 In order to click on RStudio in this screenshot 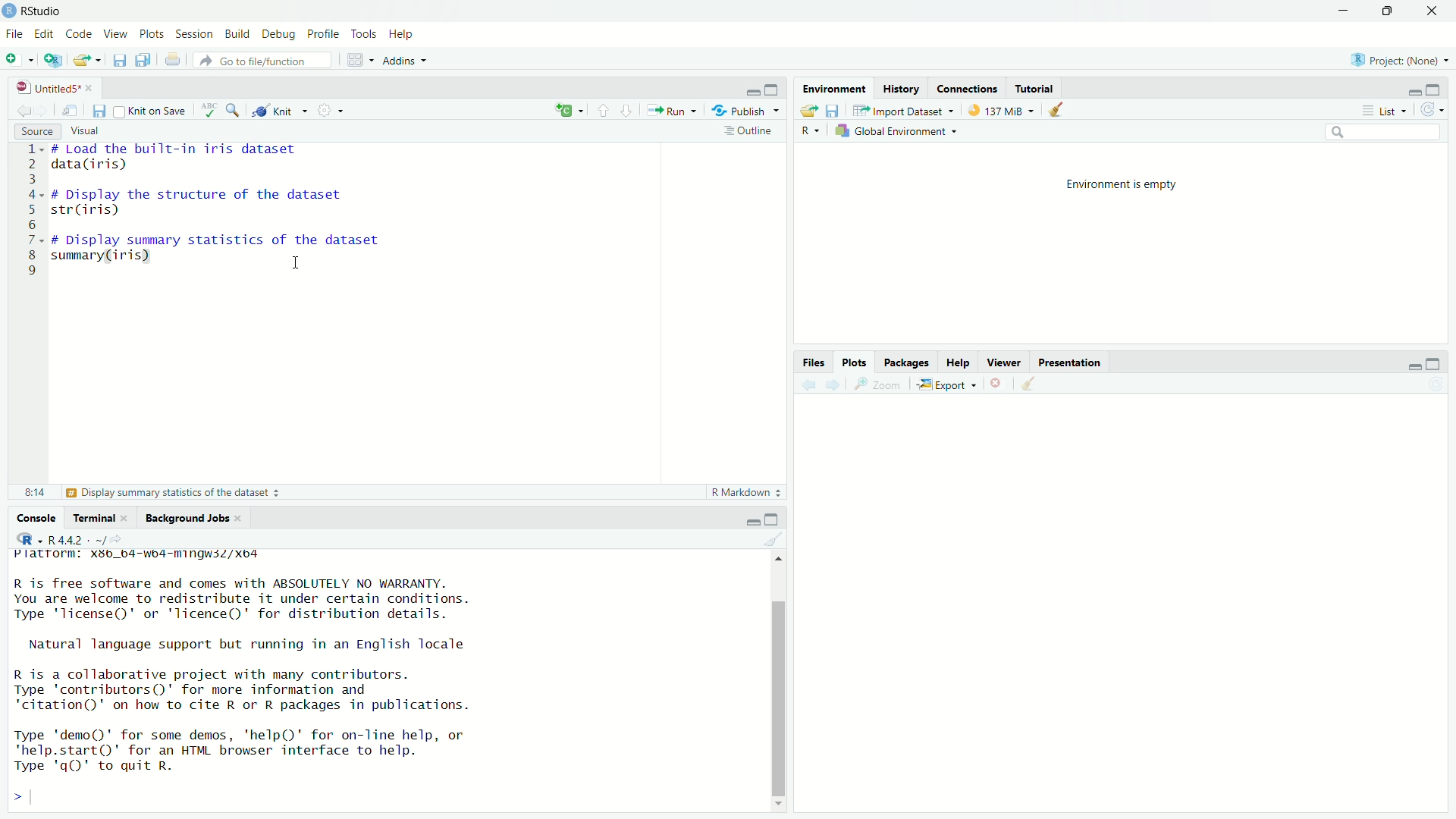, I will do `click(33, 11)`.